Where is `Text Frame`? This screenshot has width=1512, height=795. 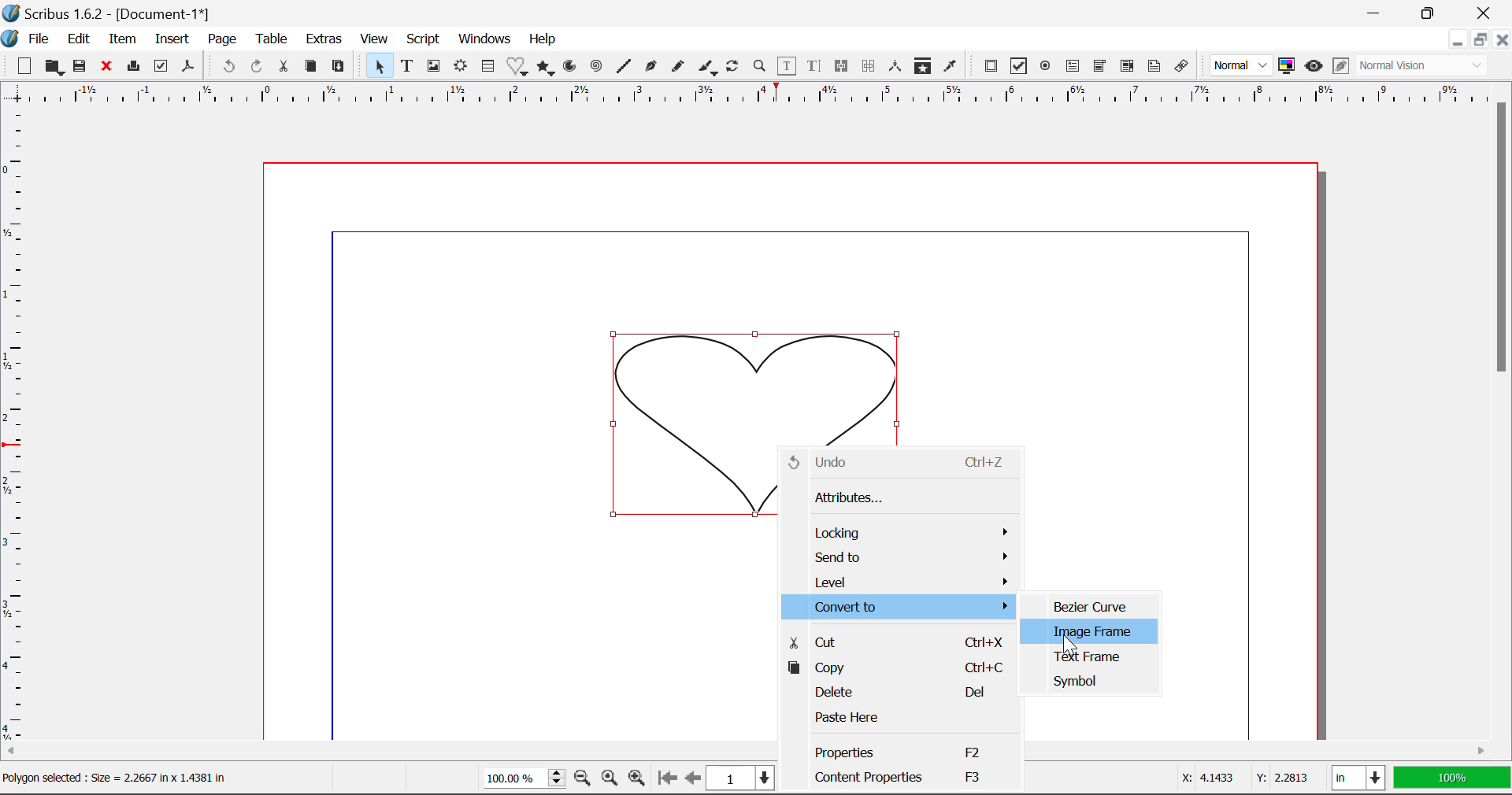 Text Frame is located at coordinates (1088, 657).